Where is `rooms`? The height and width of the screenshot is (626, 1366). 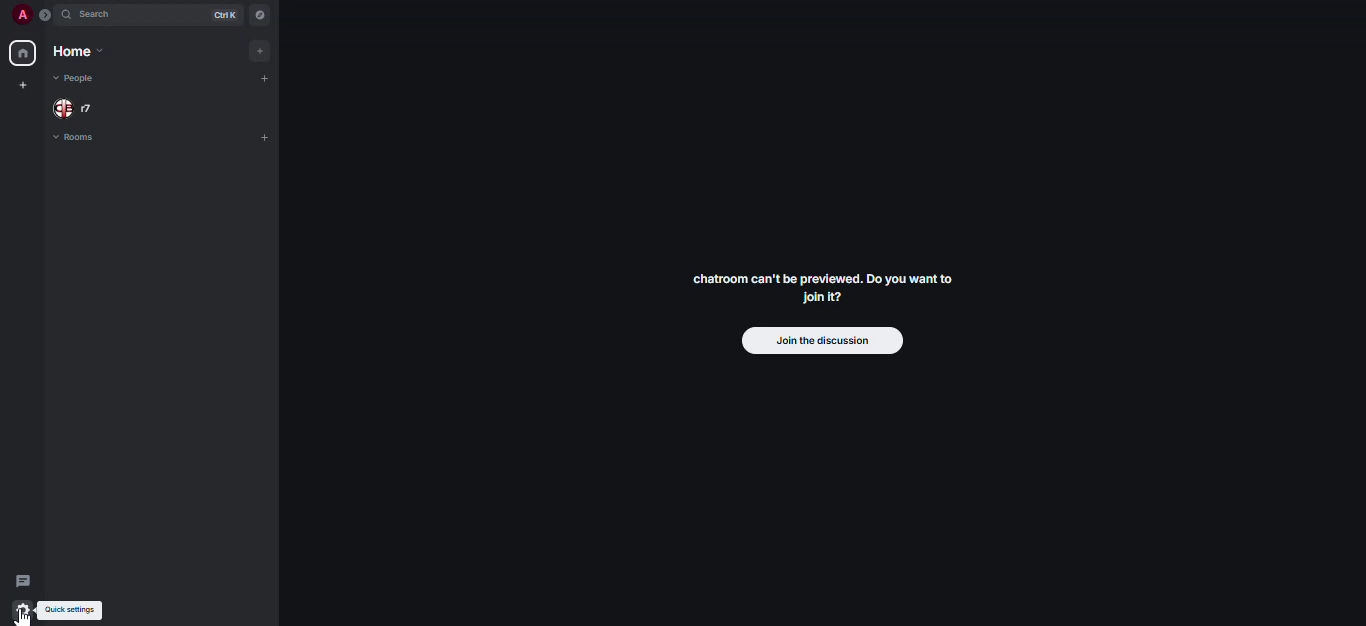
rooms is located at coordinates (96, 141).